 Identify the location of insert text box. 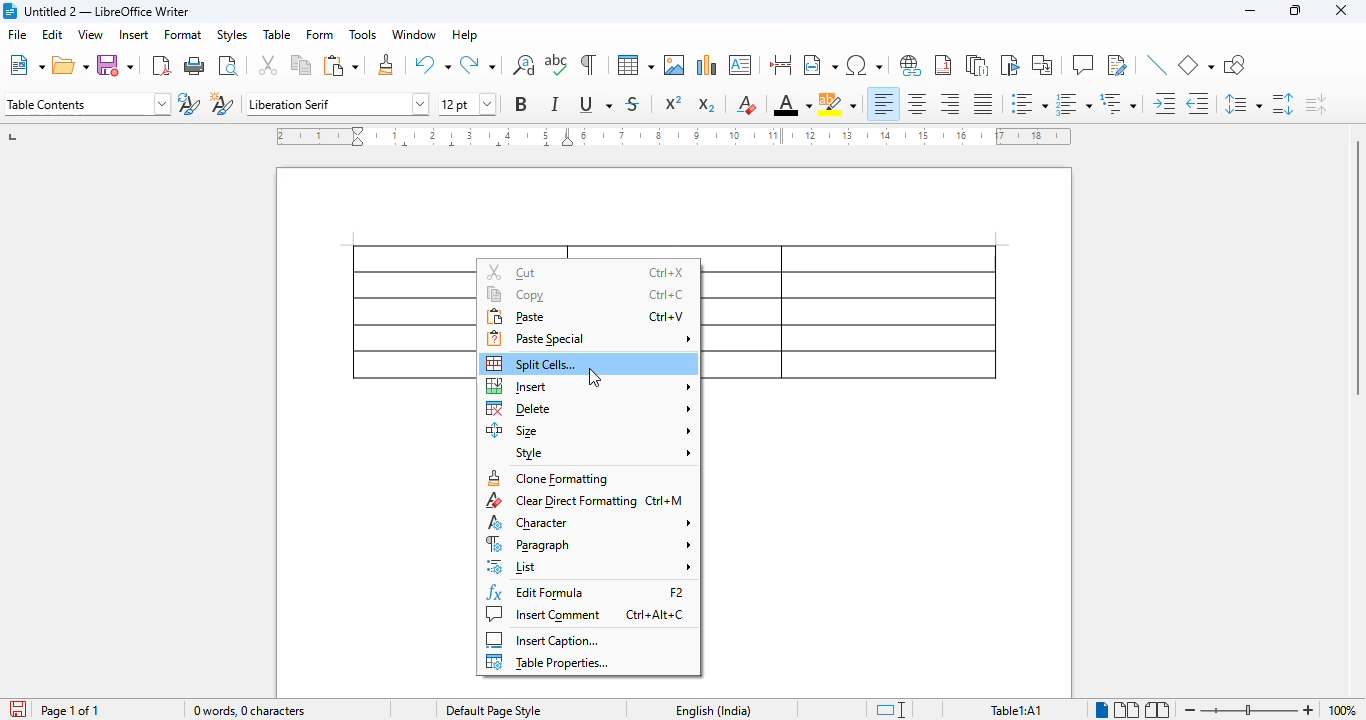
(740, 65).